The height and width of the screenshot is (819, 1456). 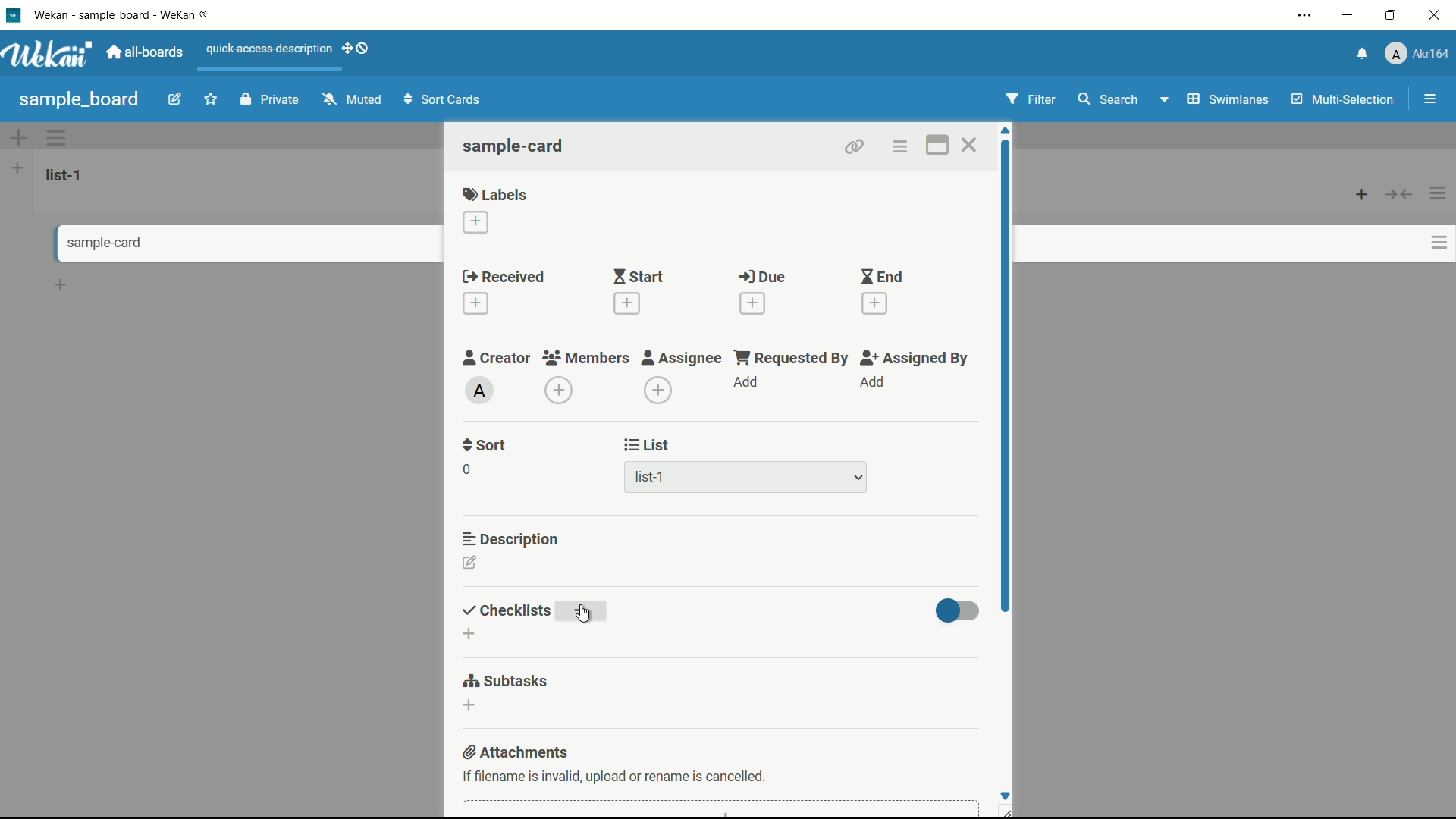 What do you see at coordinates (1007, 130) in the screenshot?
I see `scroll up` at bounding box center [1007, 130].